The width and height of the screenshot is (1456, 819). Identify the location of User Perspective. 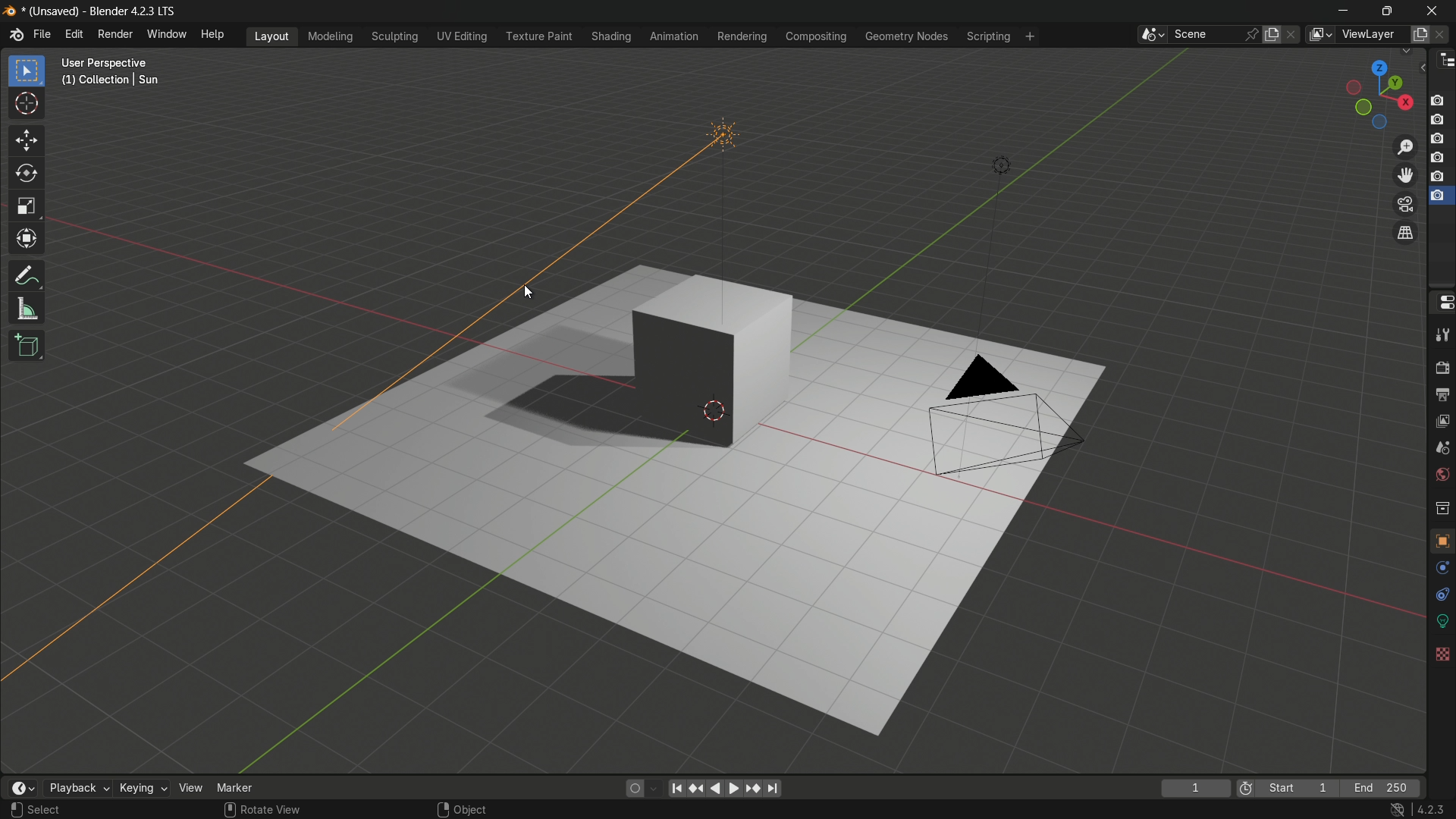
(109, 63).